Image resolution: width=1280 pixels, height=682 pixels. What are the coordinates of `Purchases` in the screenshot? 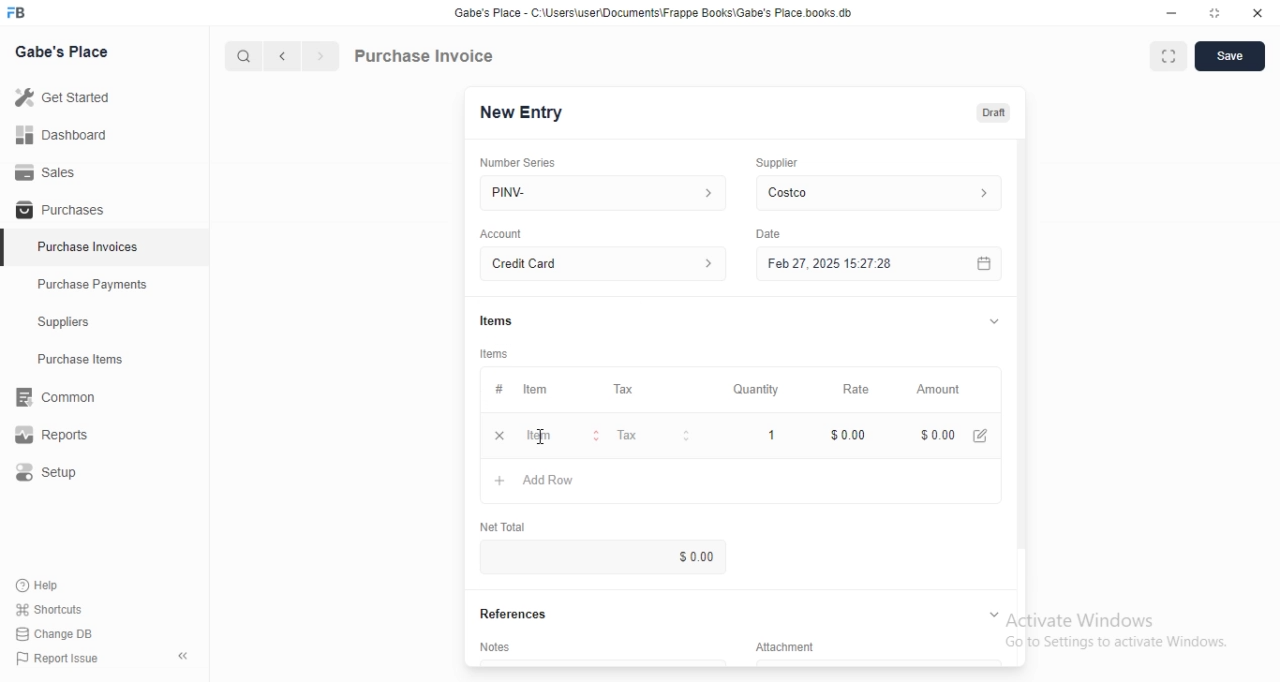 It's located at (104, 208).